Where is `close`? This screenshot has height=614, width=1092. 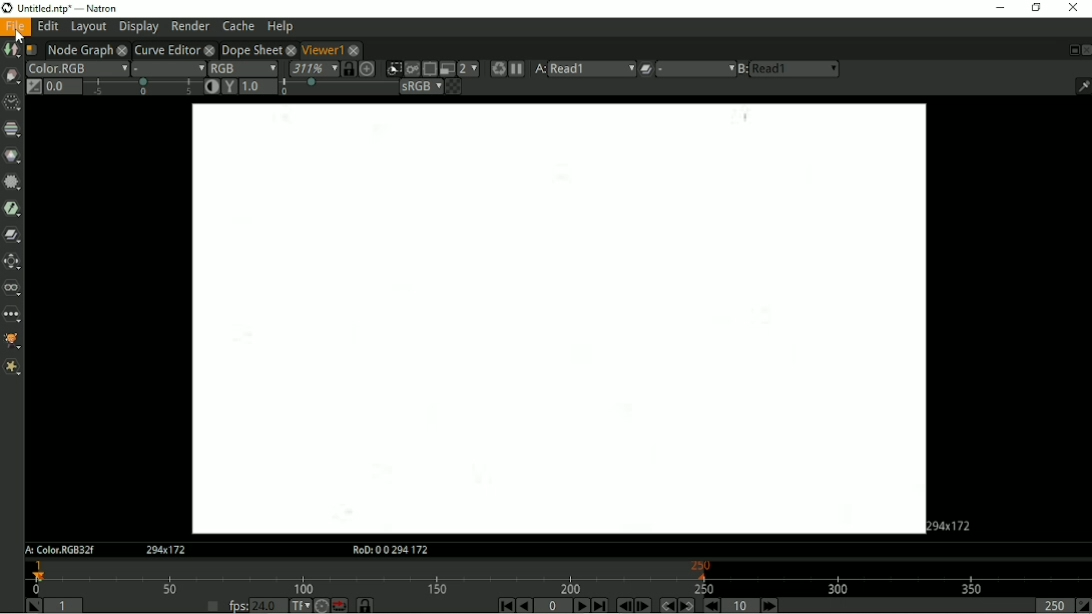 close is located at coordinates (355, 51).